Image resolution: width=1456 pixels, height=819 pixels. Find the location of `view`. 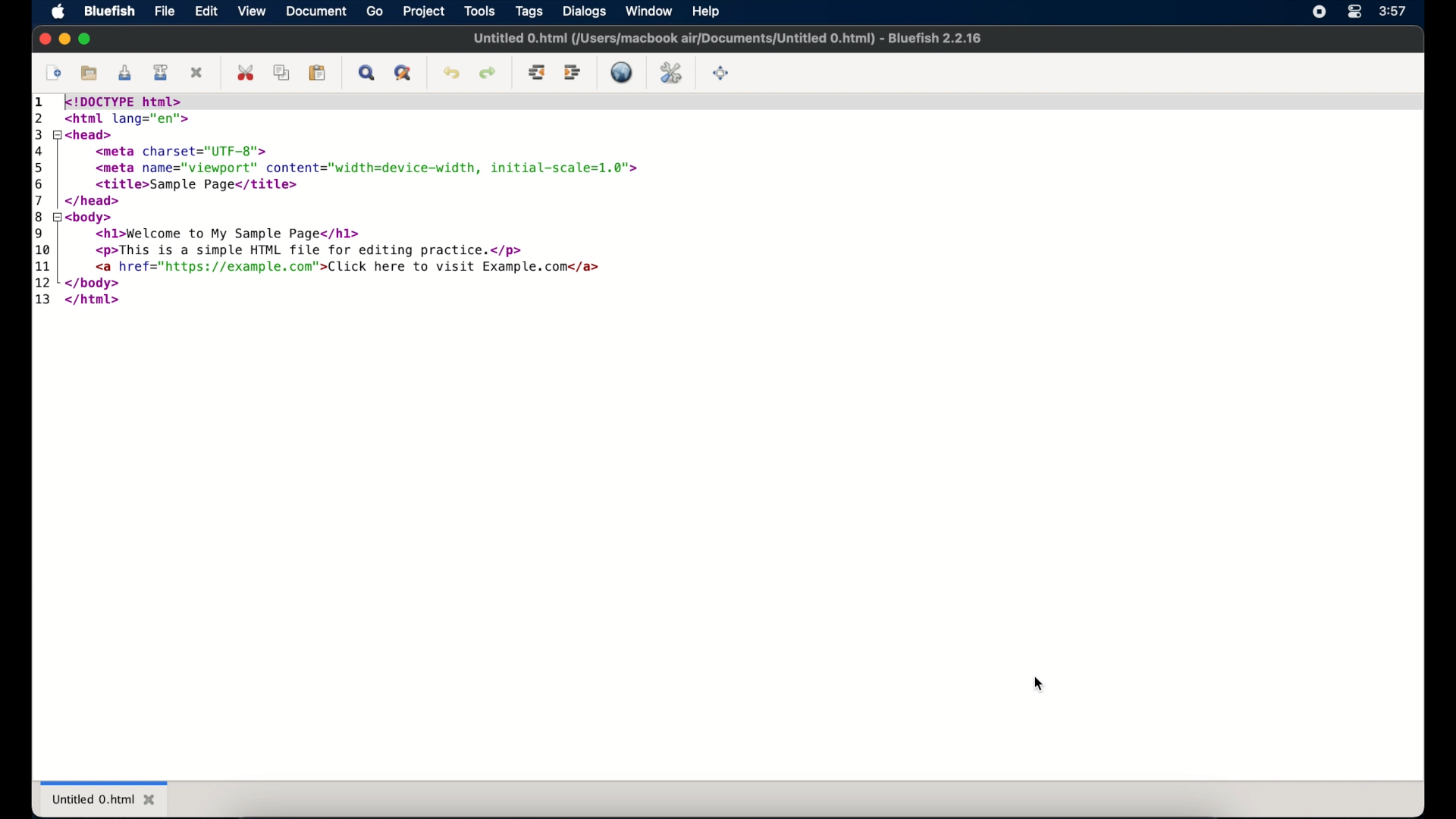

view is located at coordinates (251, 11).